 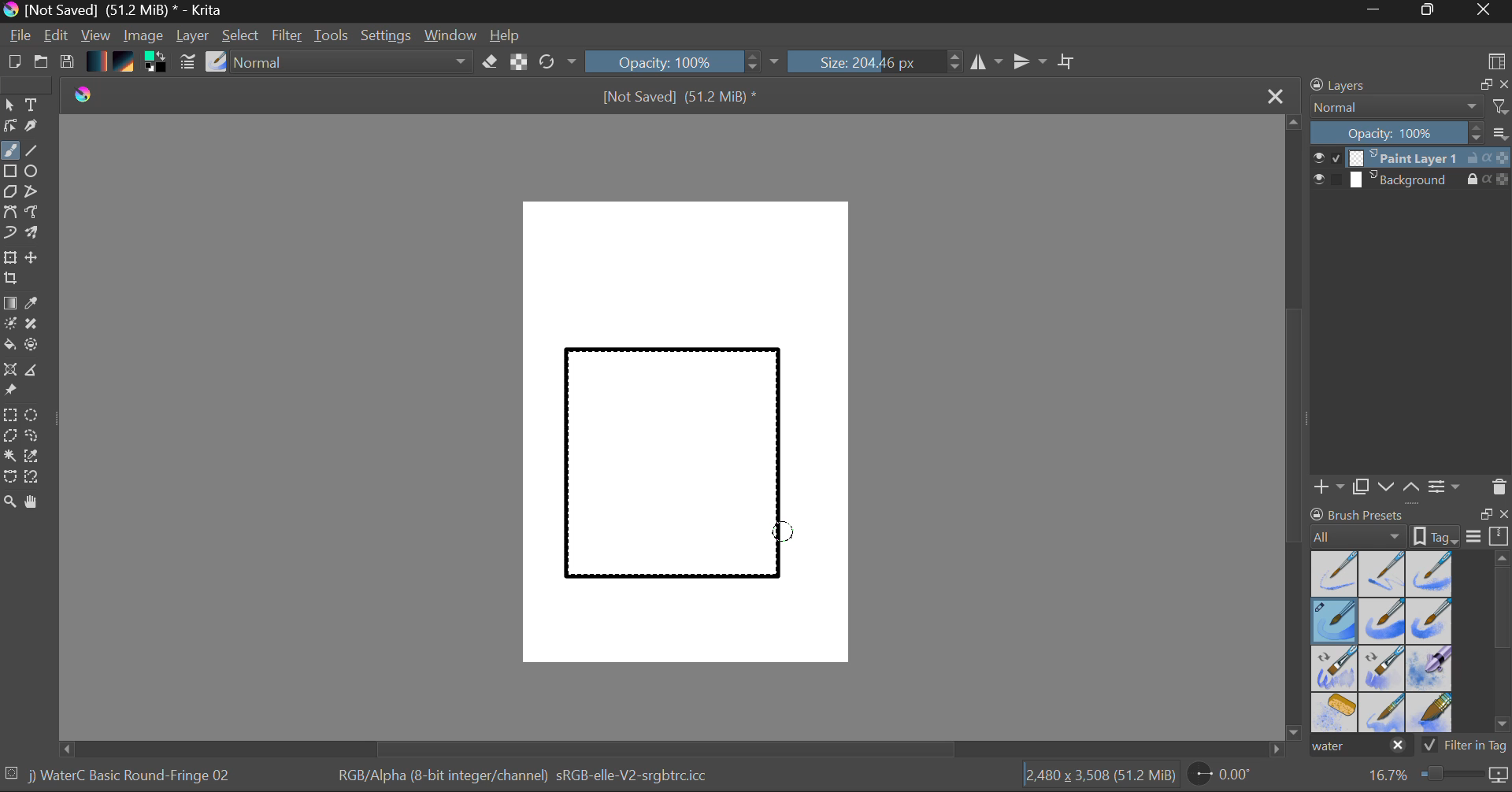 What do you see at coordinates (9, 105) in the screenshot?
I see `Select` at bounding box center [9, 105].